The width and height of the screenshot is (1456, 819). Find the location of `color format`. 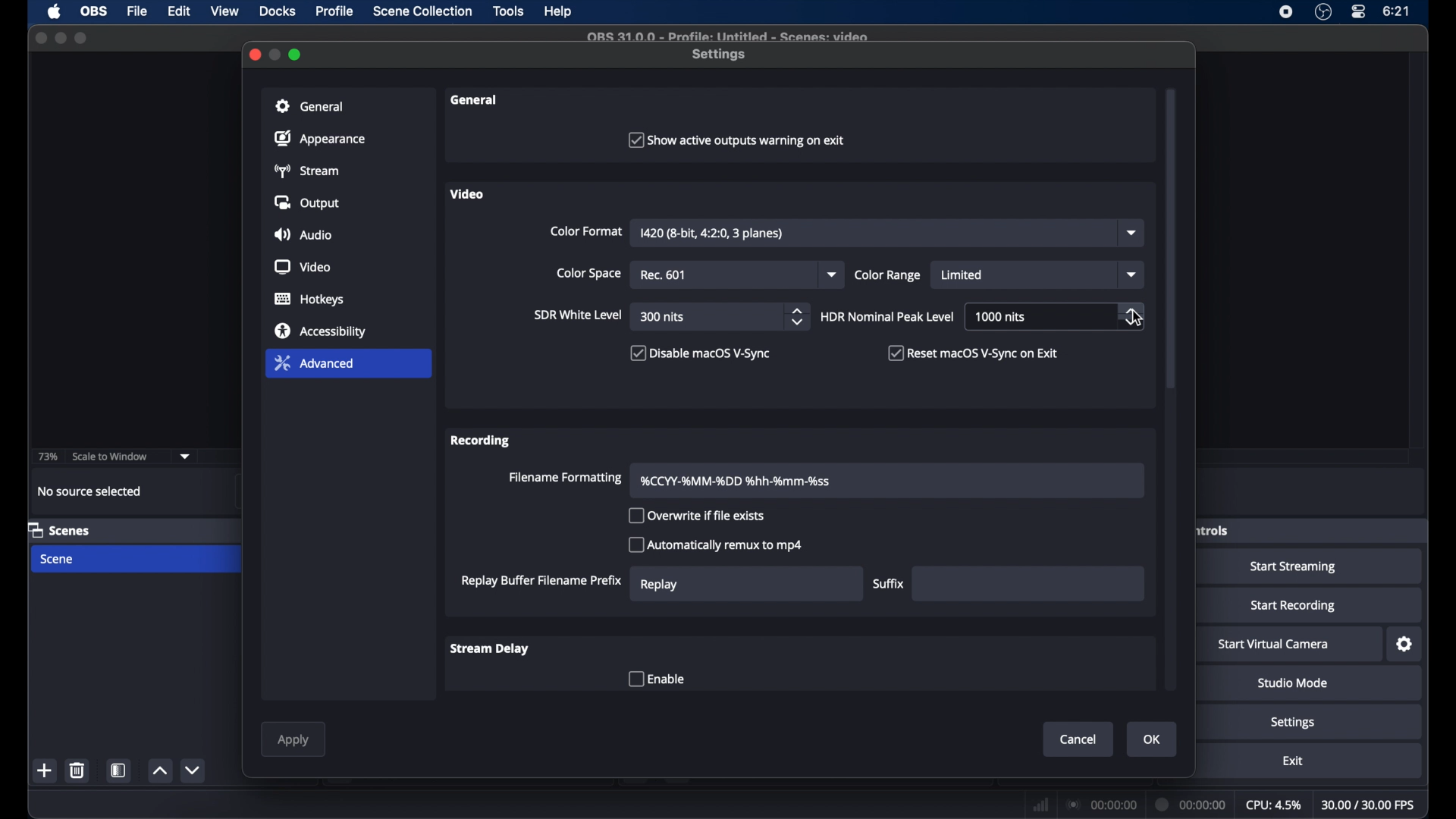

color format is located at coordinates (586, 231).